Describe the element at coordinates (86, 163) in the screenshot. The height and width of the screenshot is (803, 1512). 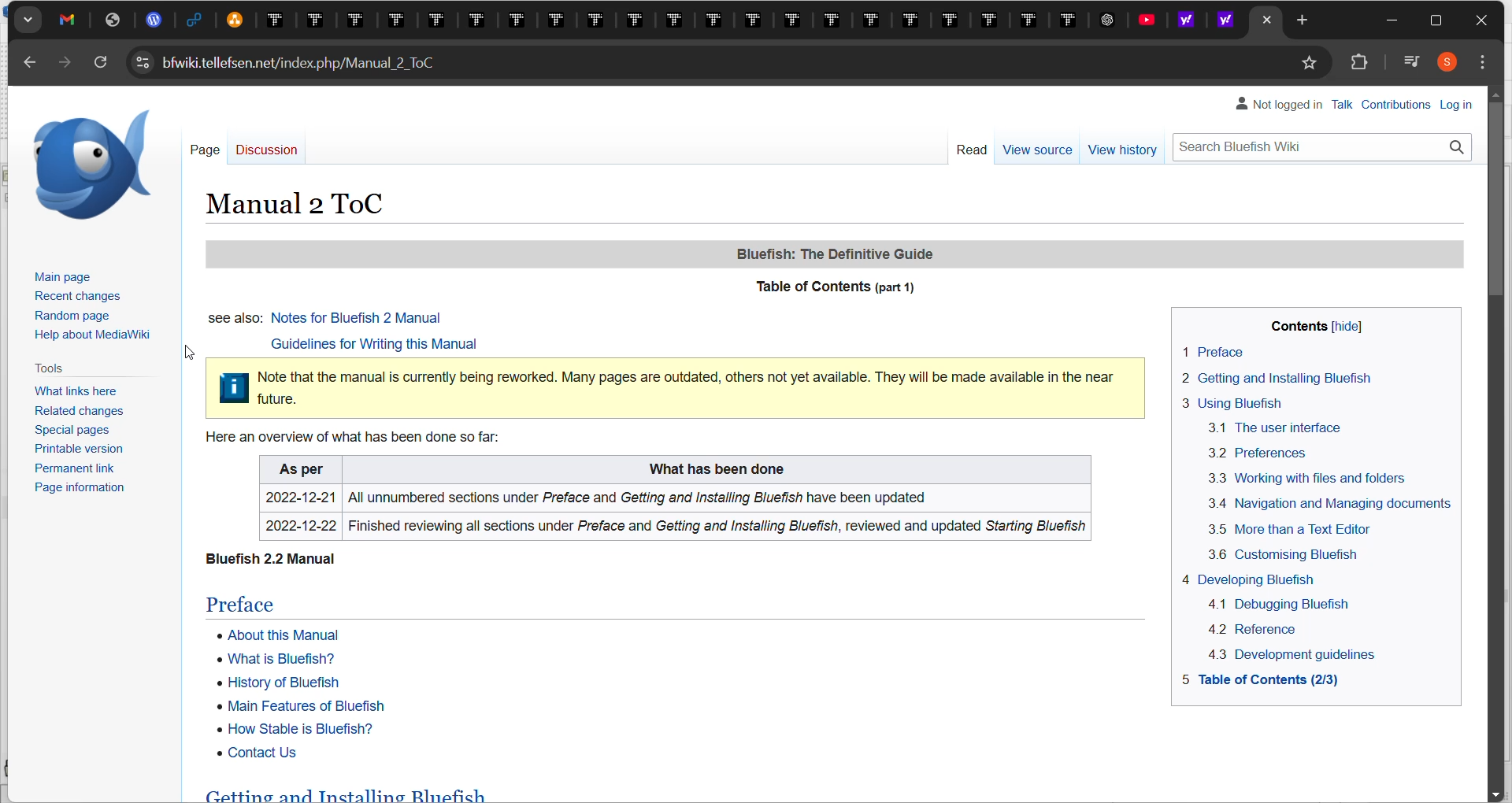
I see `image` at that location.